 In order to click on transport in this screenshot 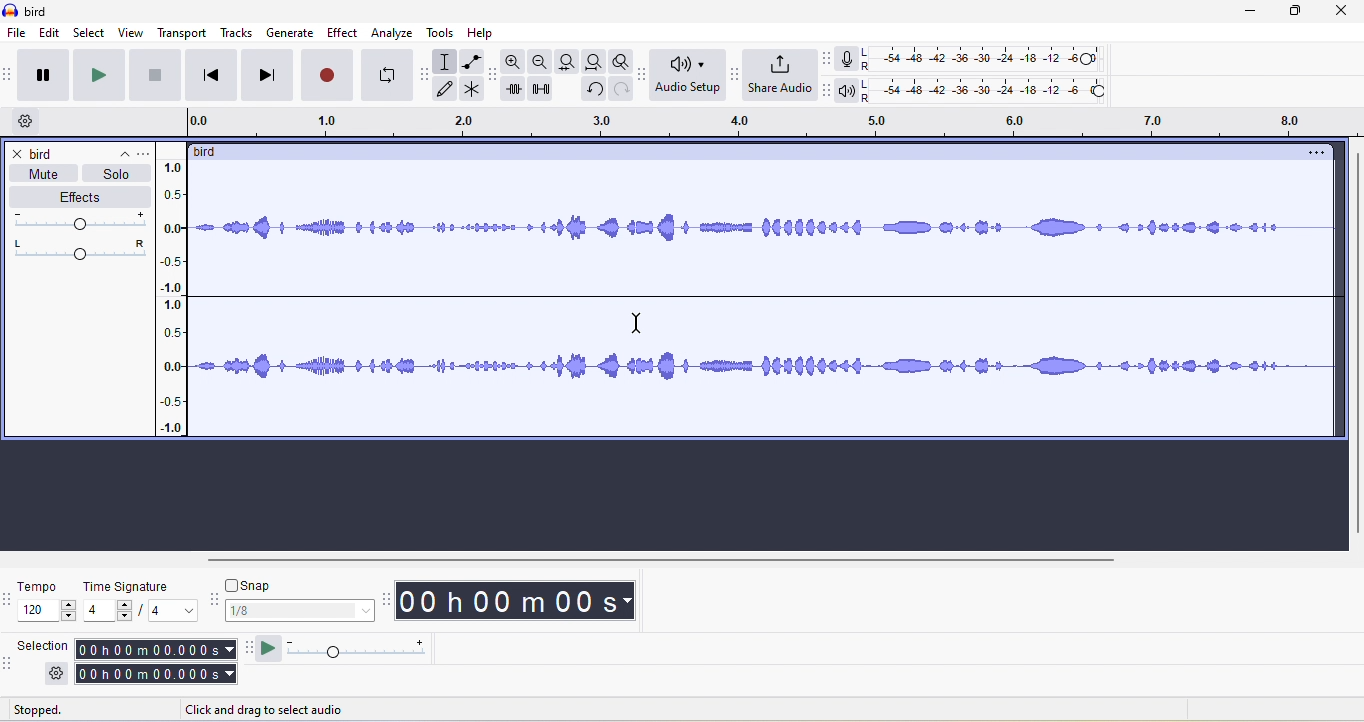, I will do `click(183, 33)`.